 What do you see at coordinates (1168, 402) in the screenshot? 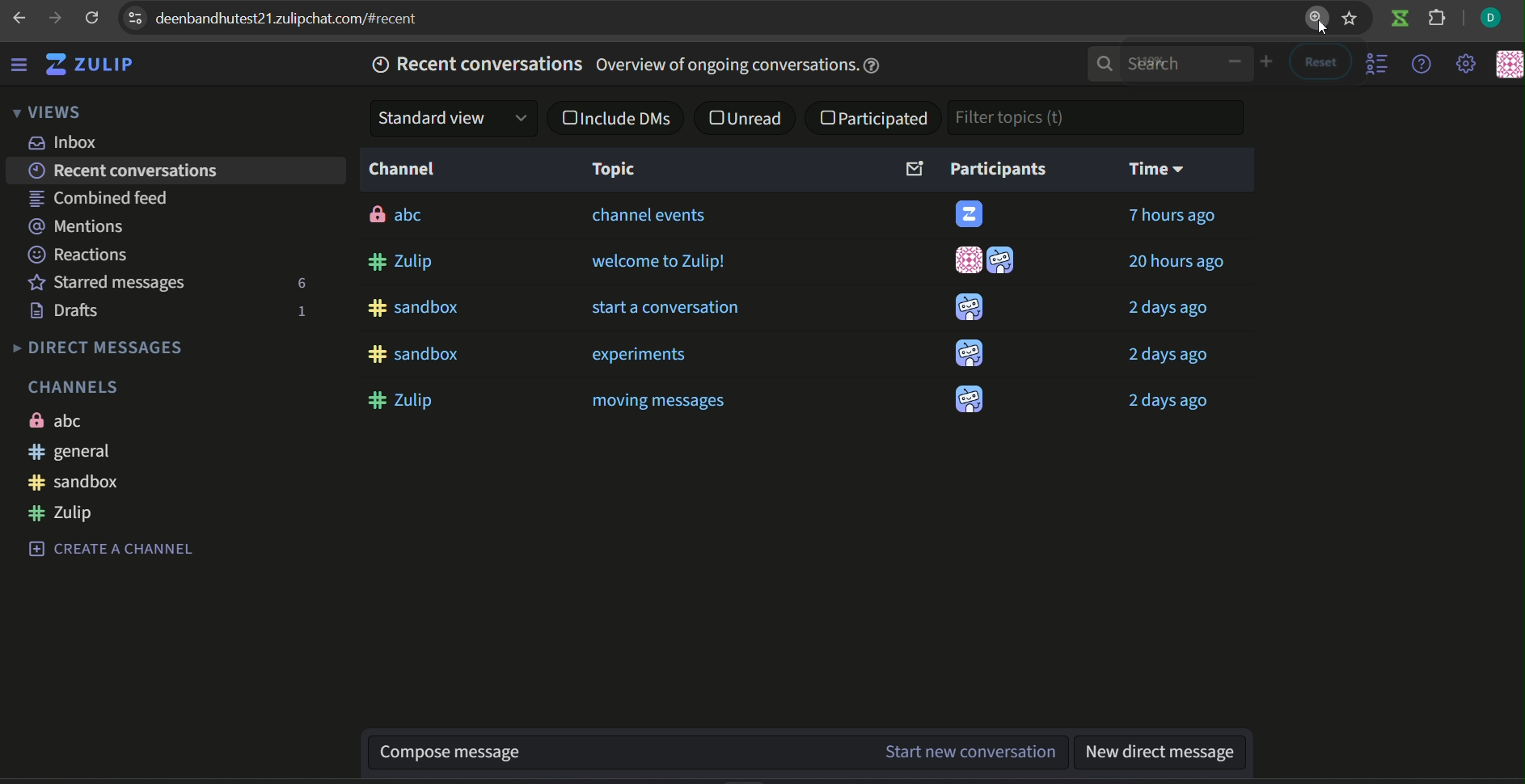
I see `2 days ago` at bounding box center [1168, 402].